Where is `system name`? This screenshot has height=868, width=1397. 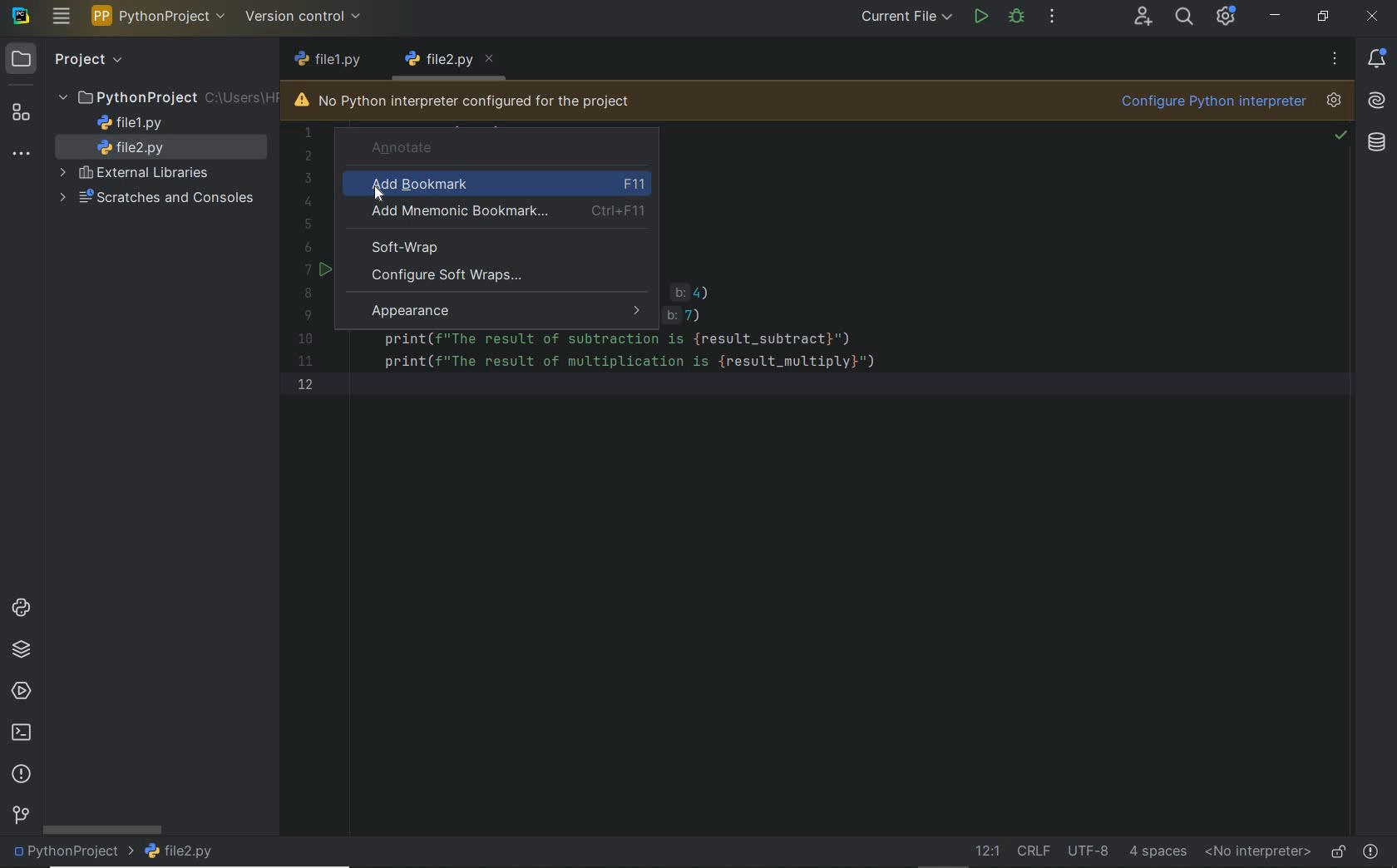 system name is located at coordinates (22, 16).